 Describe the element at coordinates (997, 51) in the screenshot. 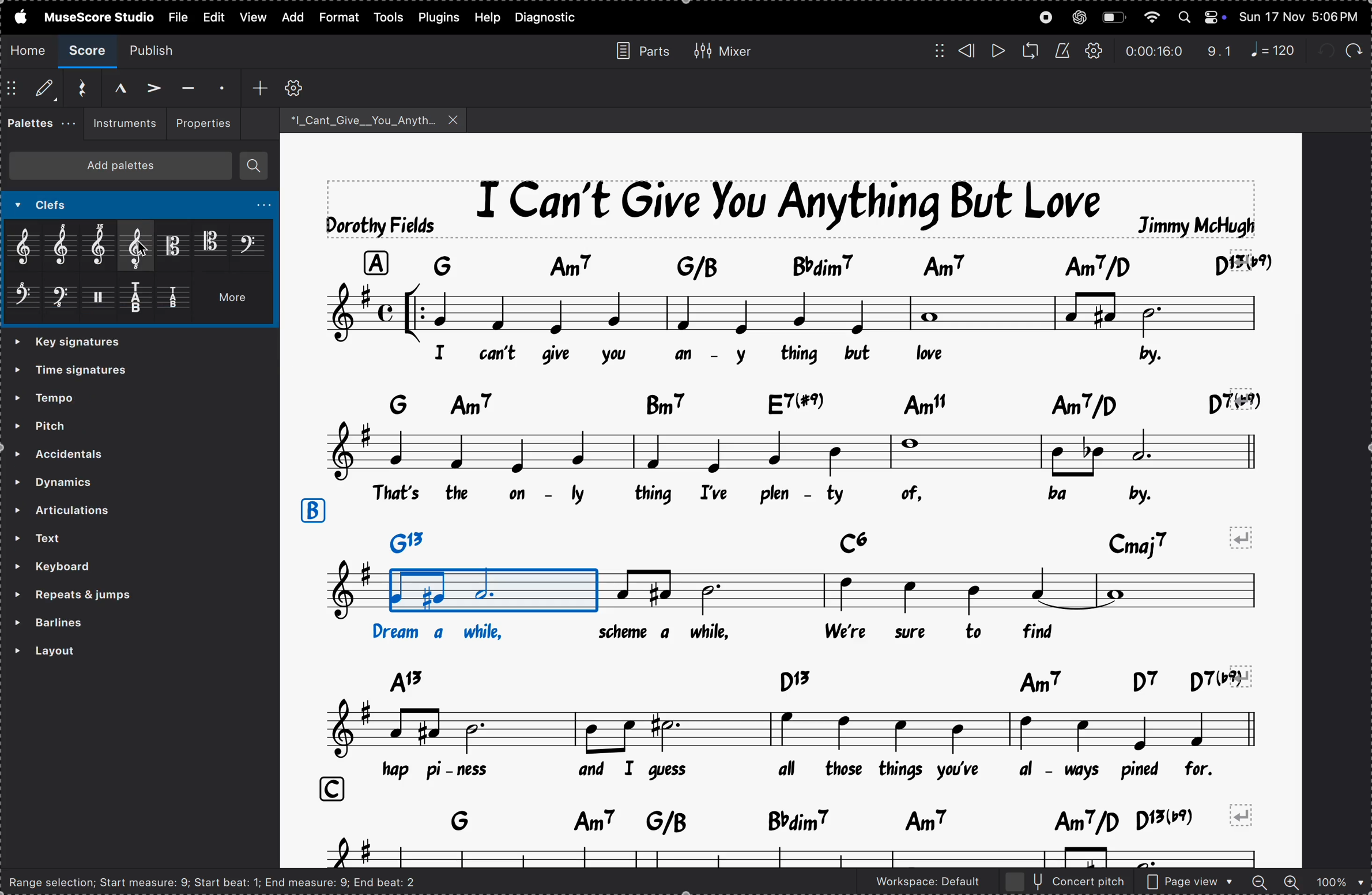

I see `play` at that location.